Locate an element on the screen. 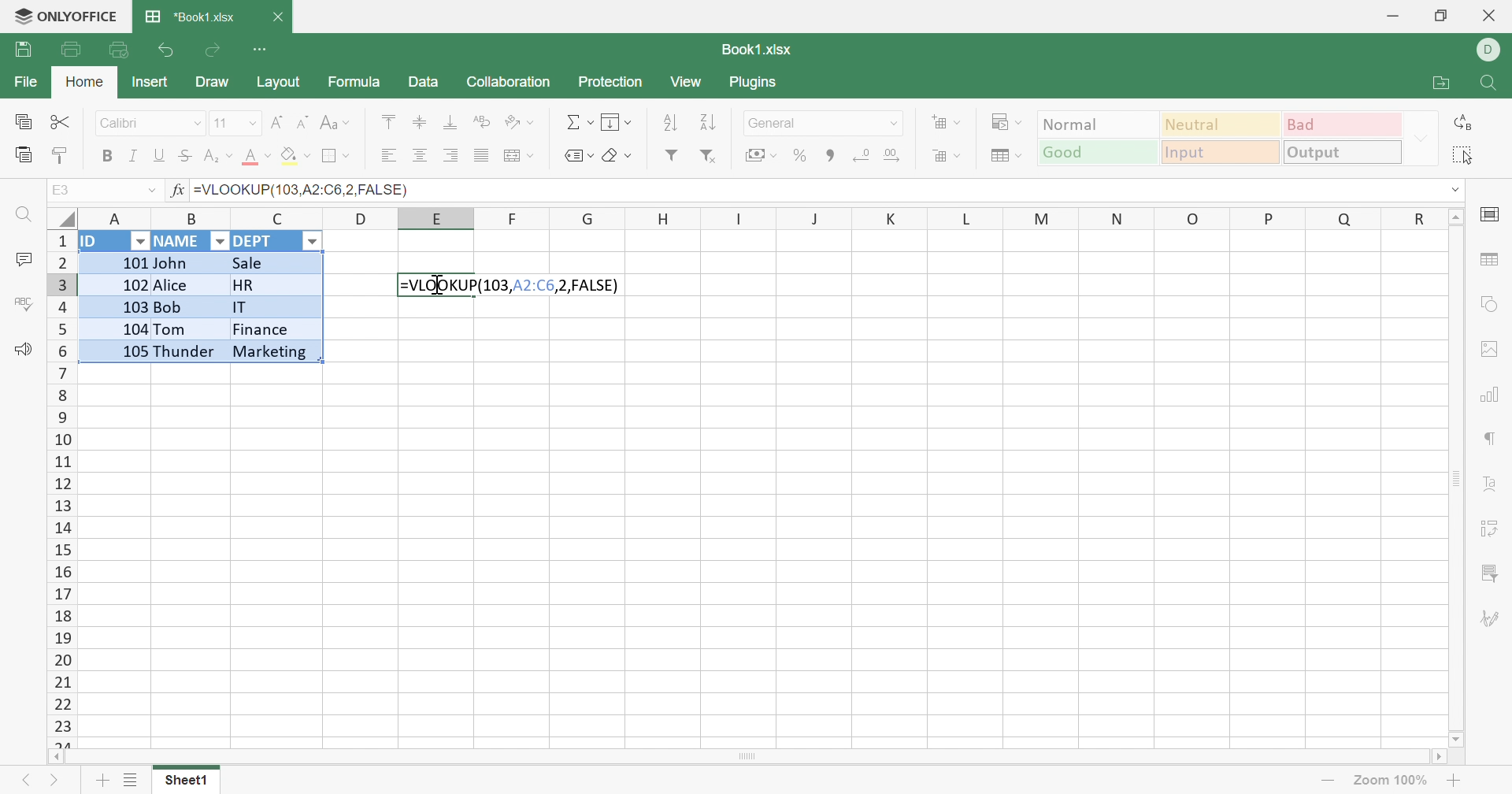  Row Number is located at coordinates (60, 488).